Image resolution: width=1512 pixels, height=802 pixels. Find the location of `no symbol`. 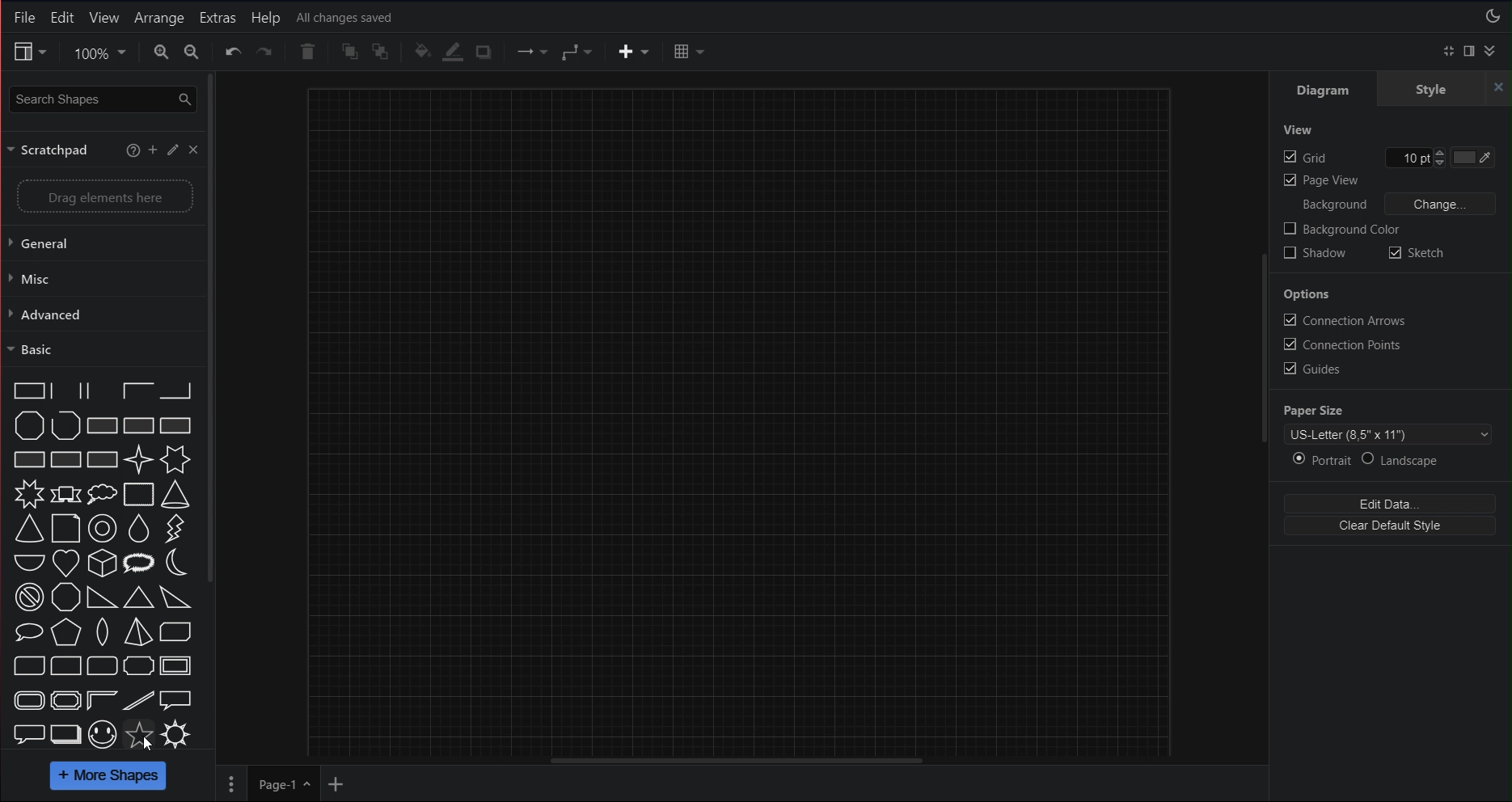

no symbol is located at coordinates (28, 597).